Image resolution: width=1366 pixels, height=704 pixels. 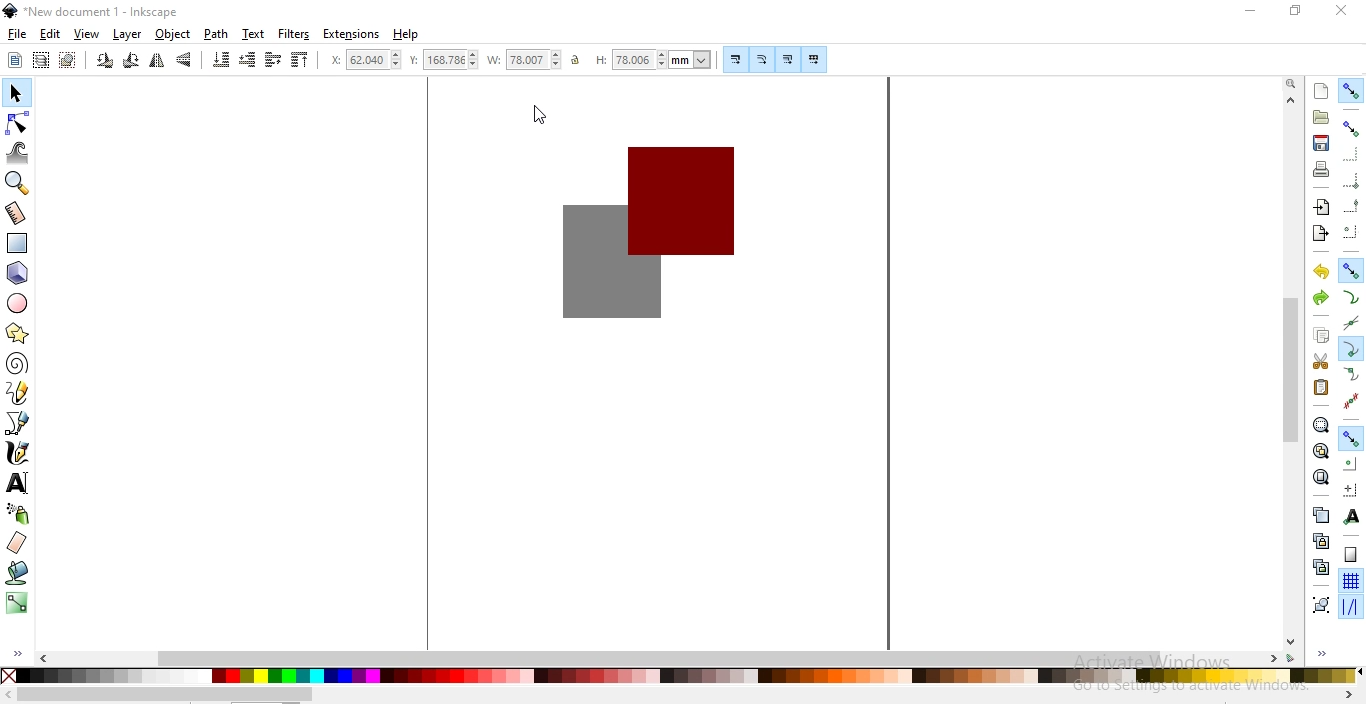 What do you see at coordinates (49, 34) in the screenshot?
I see `edit` at bounding box center [49, 34].